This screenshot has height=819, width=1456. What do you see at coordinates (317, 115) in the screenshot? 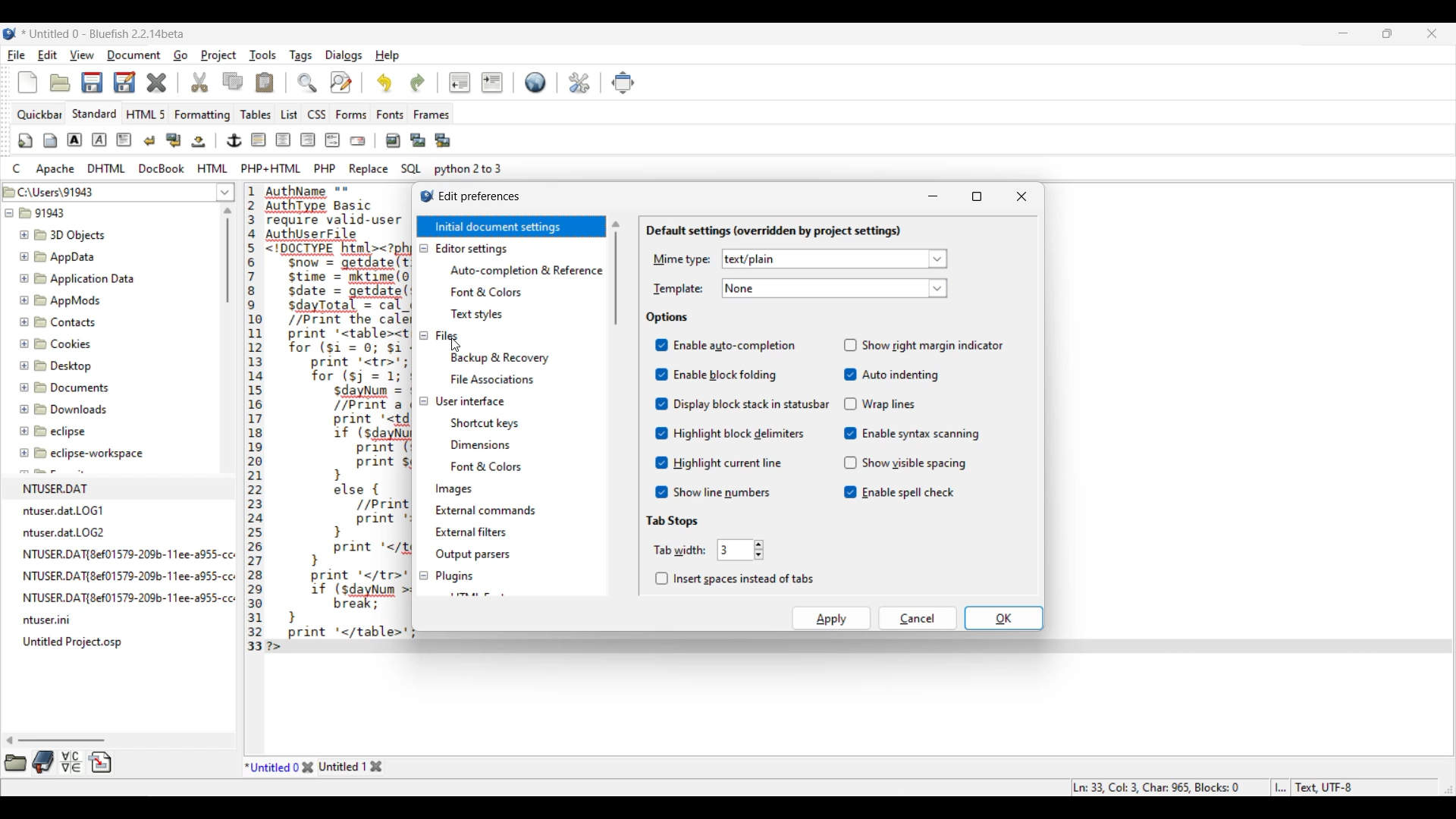
I see `CSS` at bounding box center [317, 115].